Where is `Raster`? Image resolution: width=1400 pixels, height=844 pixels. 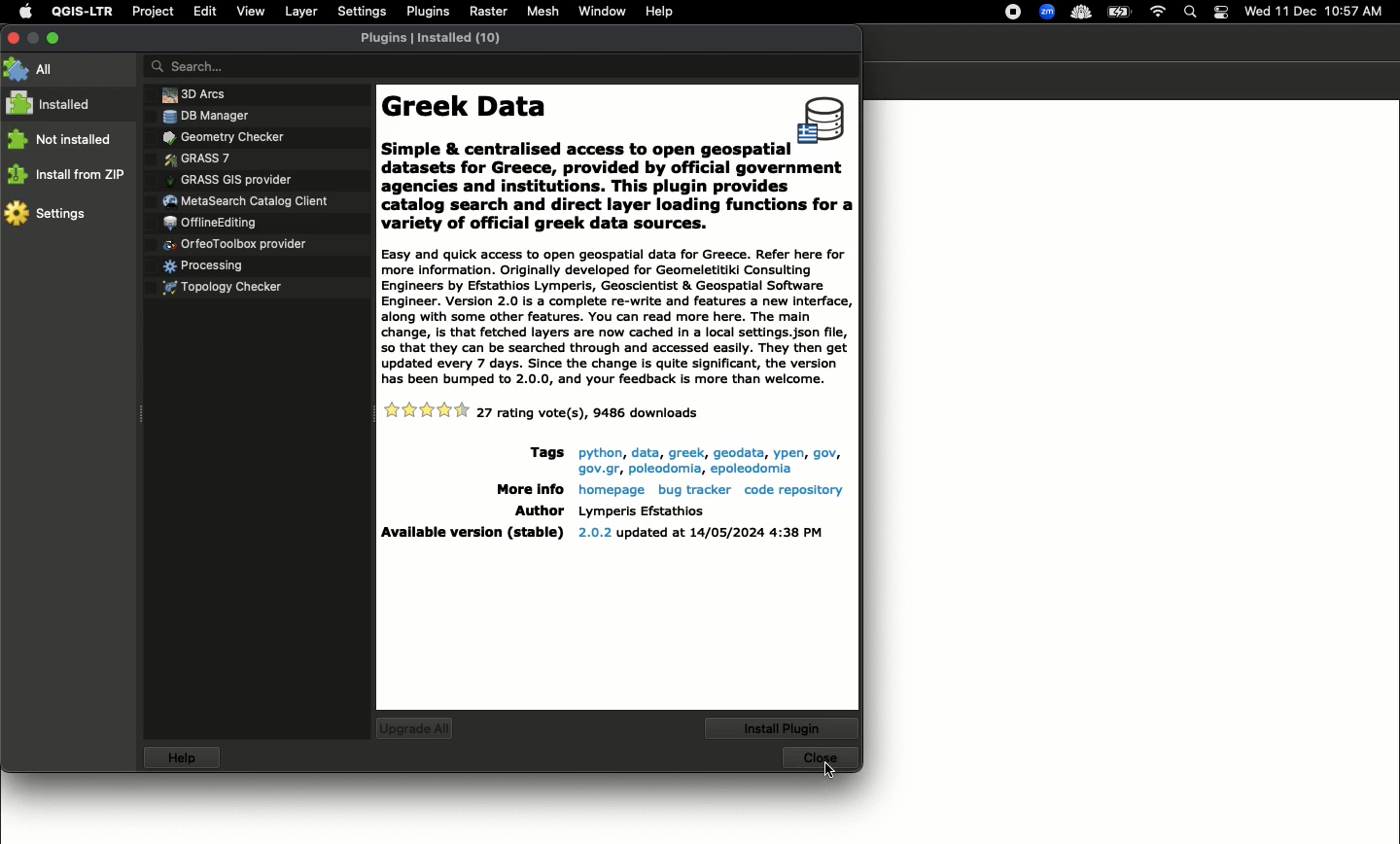 Raster is located at coordinates (489, 13).